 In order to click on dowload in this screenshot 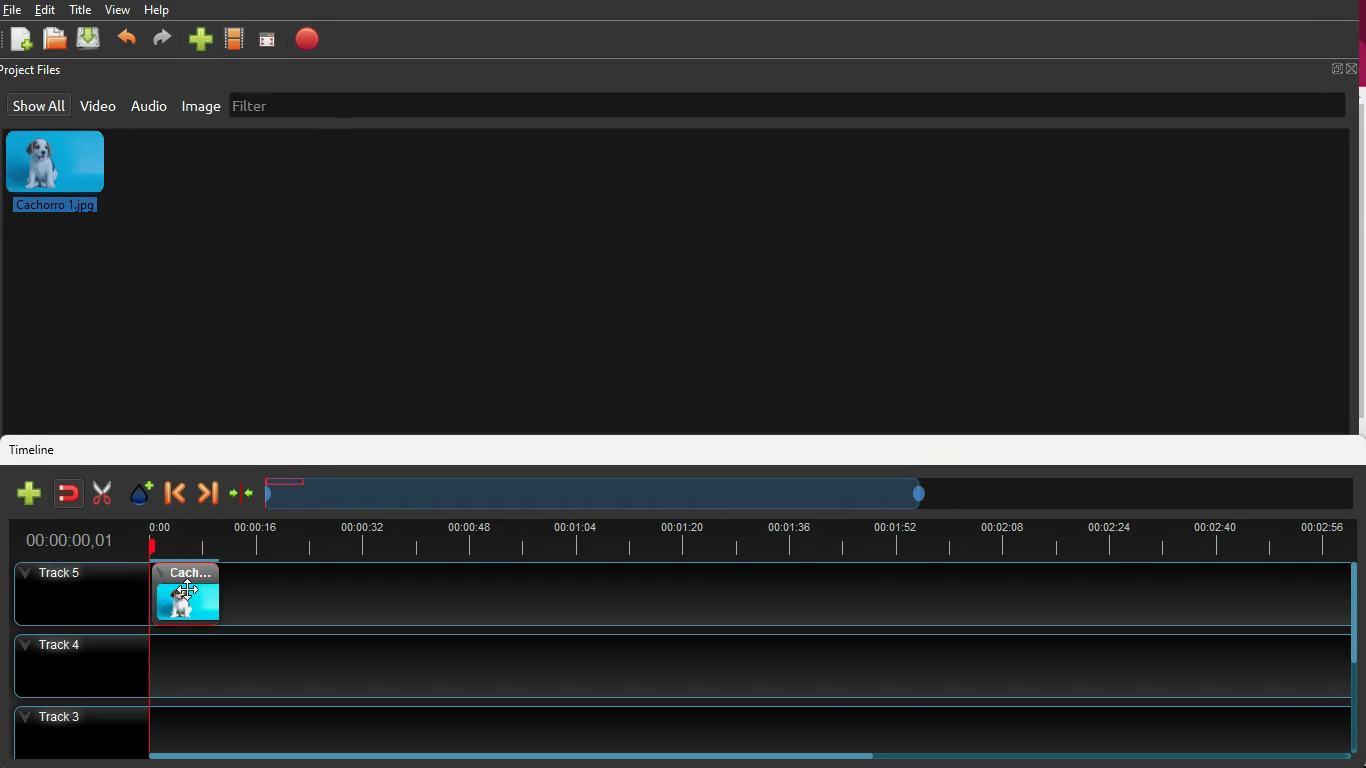, I will do `click(92, 40)`.